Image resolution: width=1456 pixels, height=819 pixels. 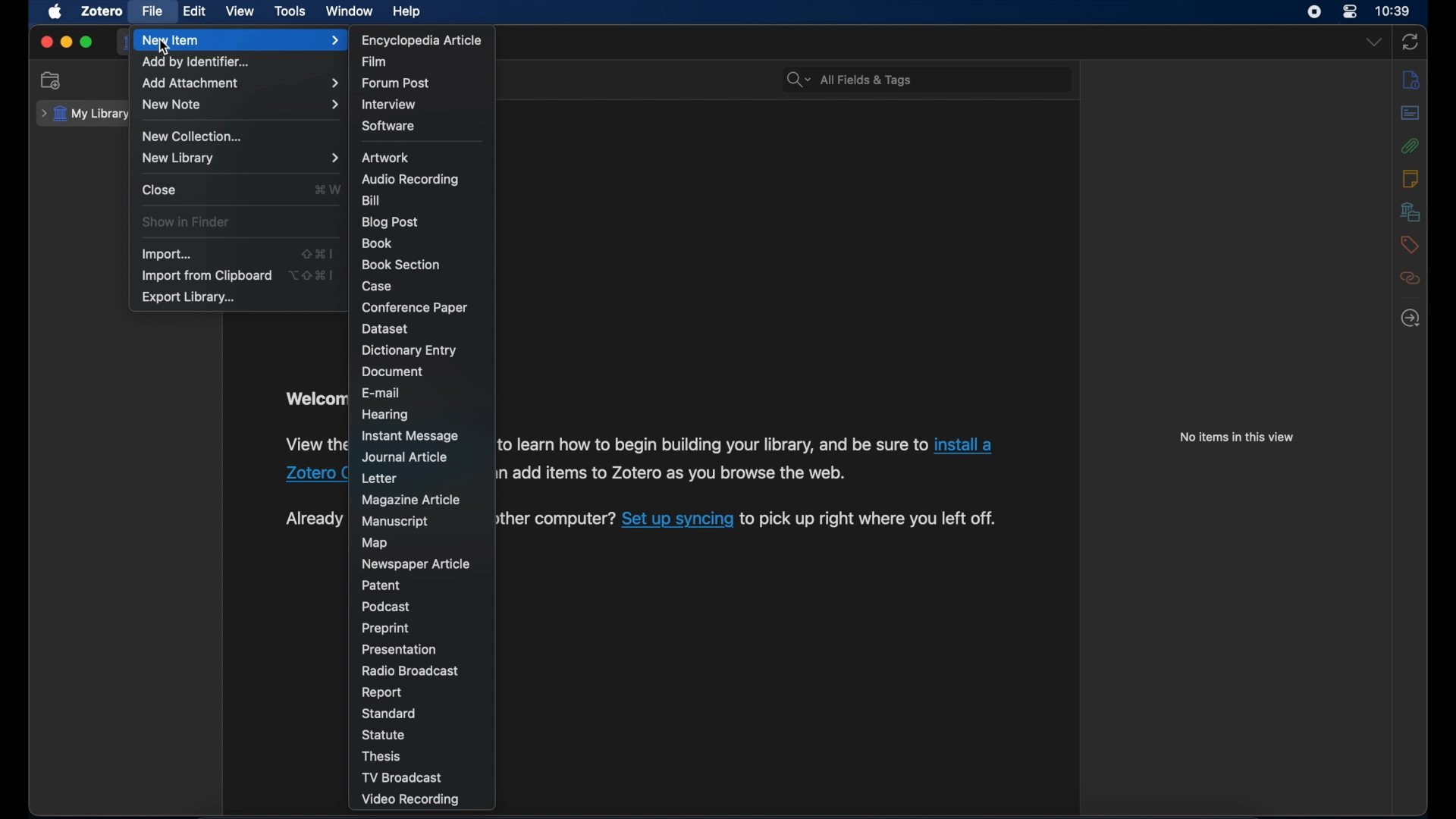 I want to click on help, so click(x=408, y=12).